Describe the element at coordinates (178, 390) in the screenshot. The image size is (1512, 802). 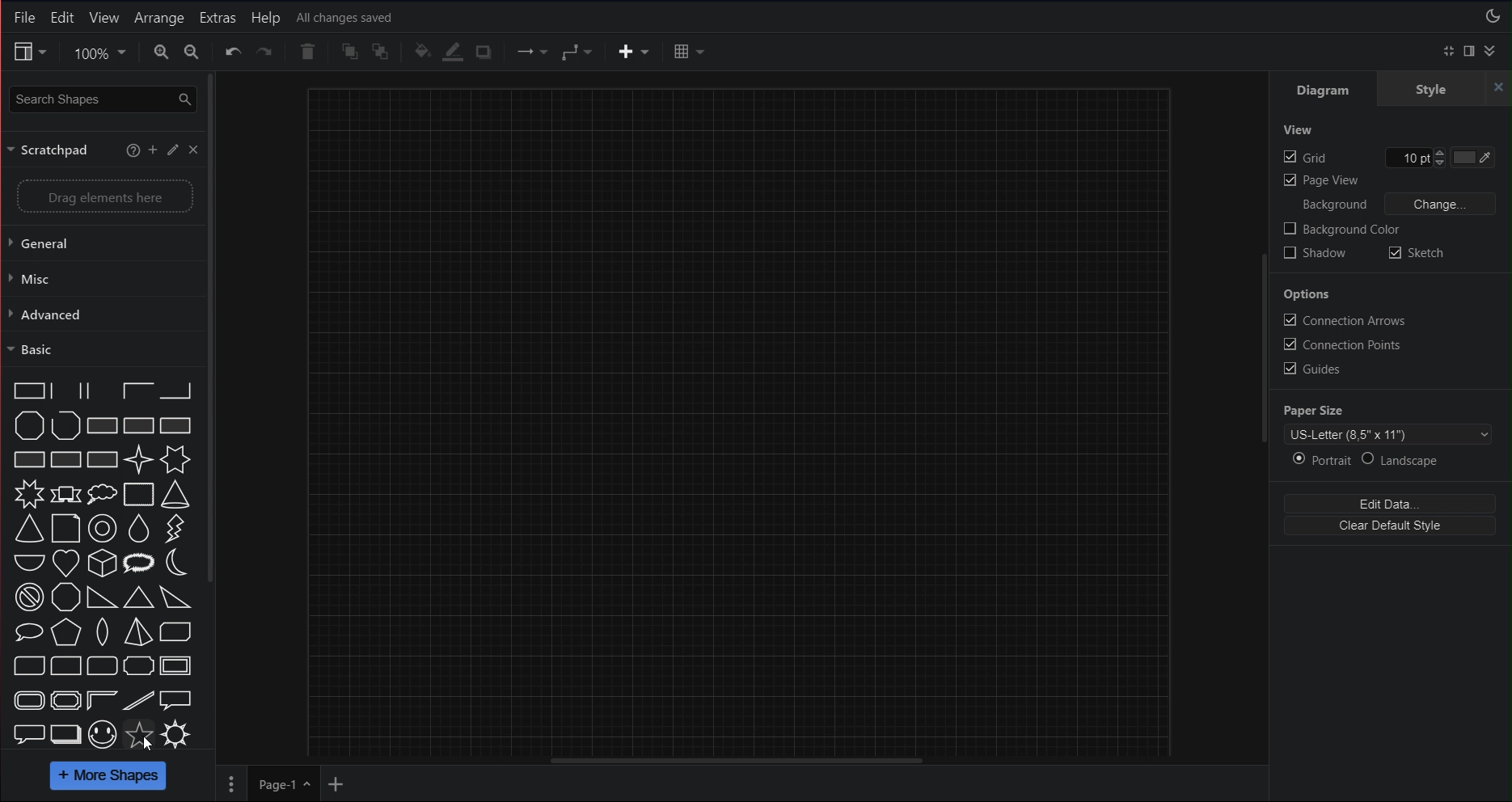
I see `partial rectangle` at that location.